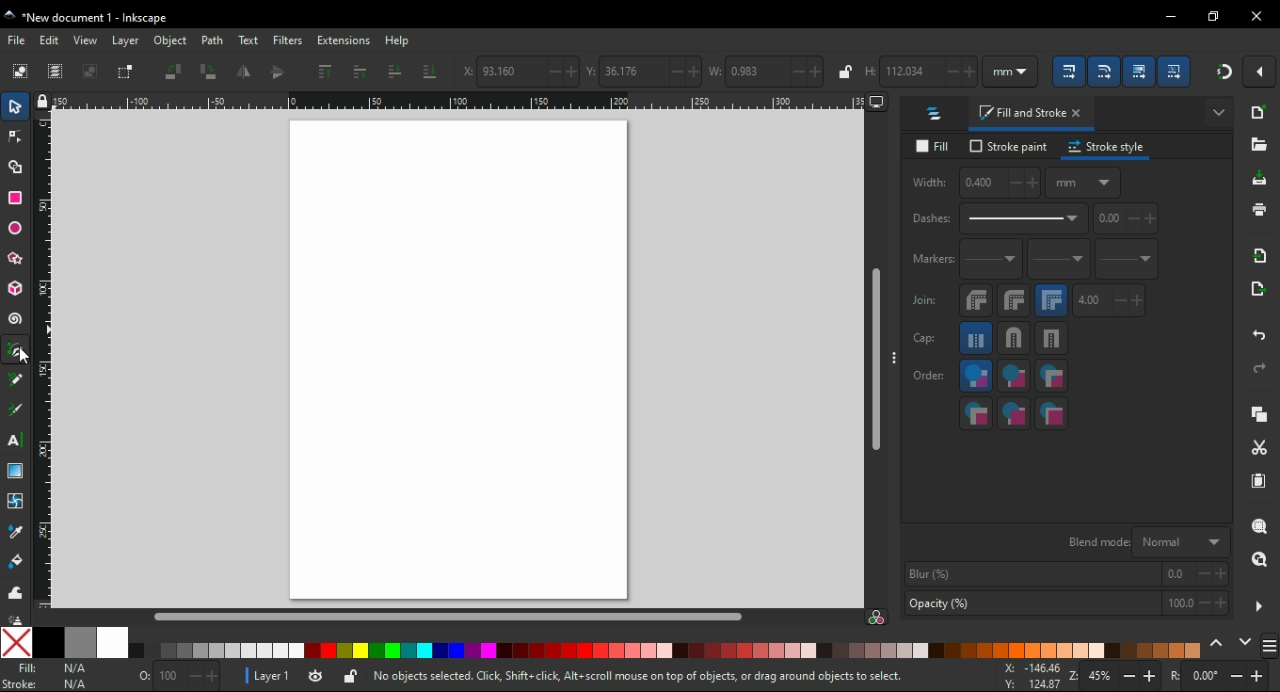 The height and width of the screenshot is (692, 1280). I want to click on gradient, so click(15, 471).